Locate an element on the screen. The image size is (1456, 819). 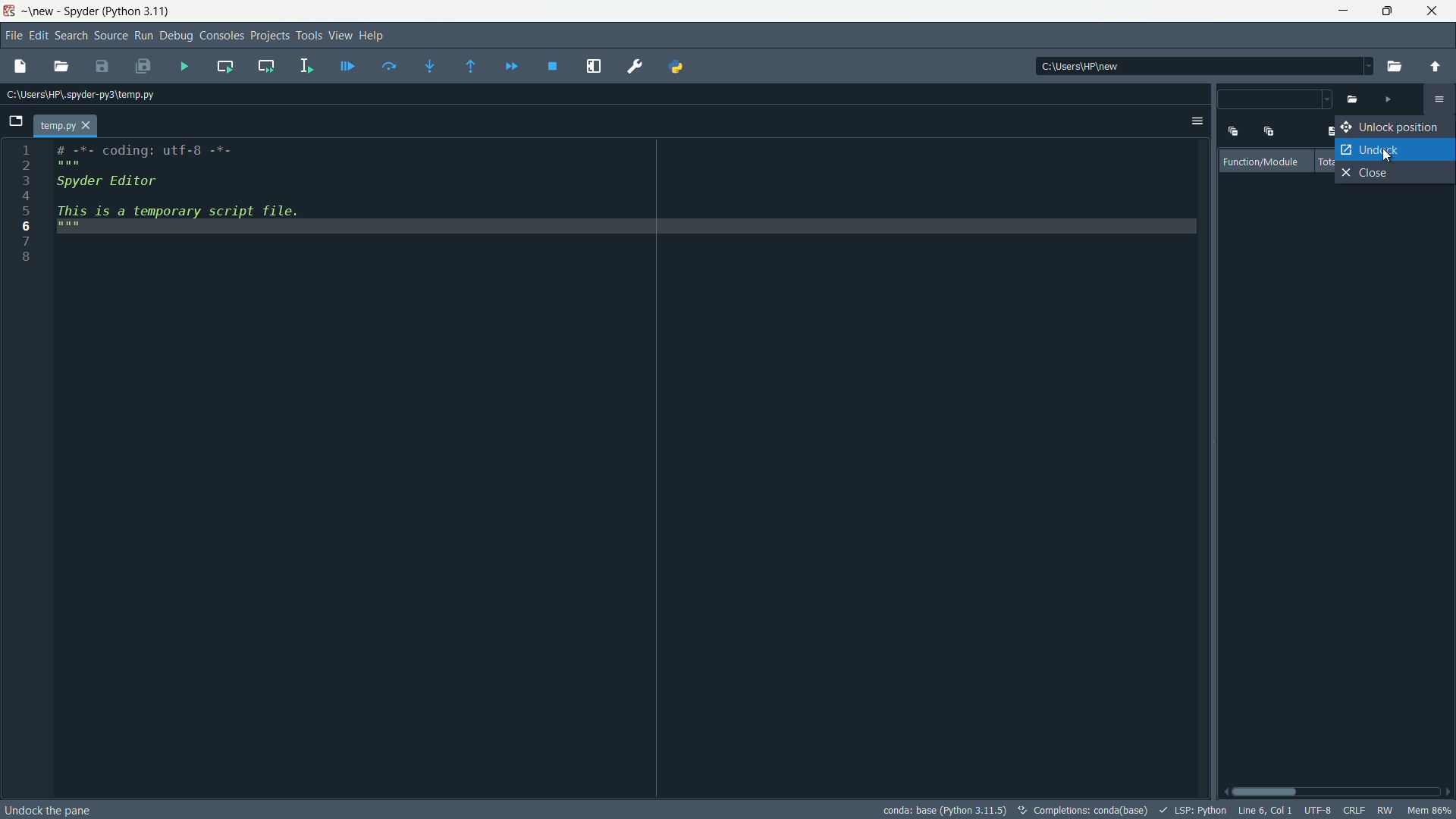
unlock position is located at coordinates (1392, 127).